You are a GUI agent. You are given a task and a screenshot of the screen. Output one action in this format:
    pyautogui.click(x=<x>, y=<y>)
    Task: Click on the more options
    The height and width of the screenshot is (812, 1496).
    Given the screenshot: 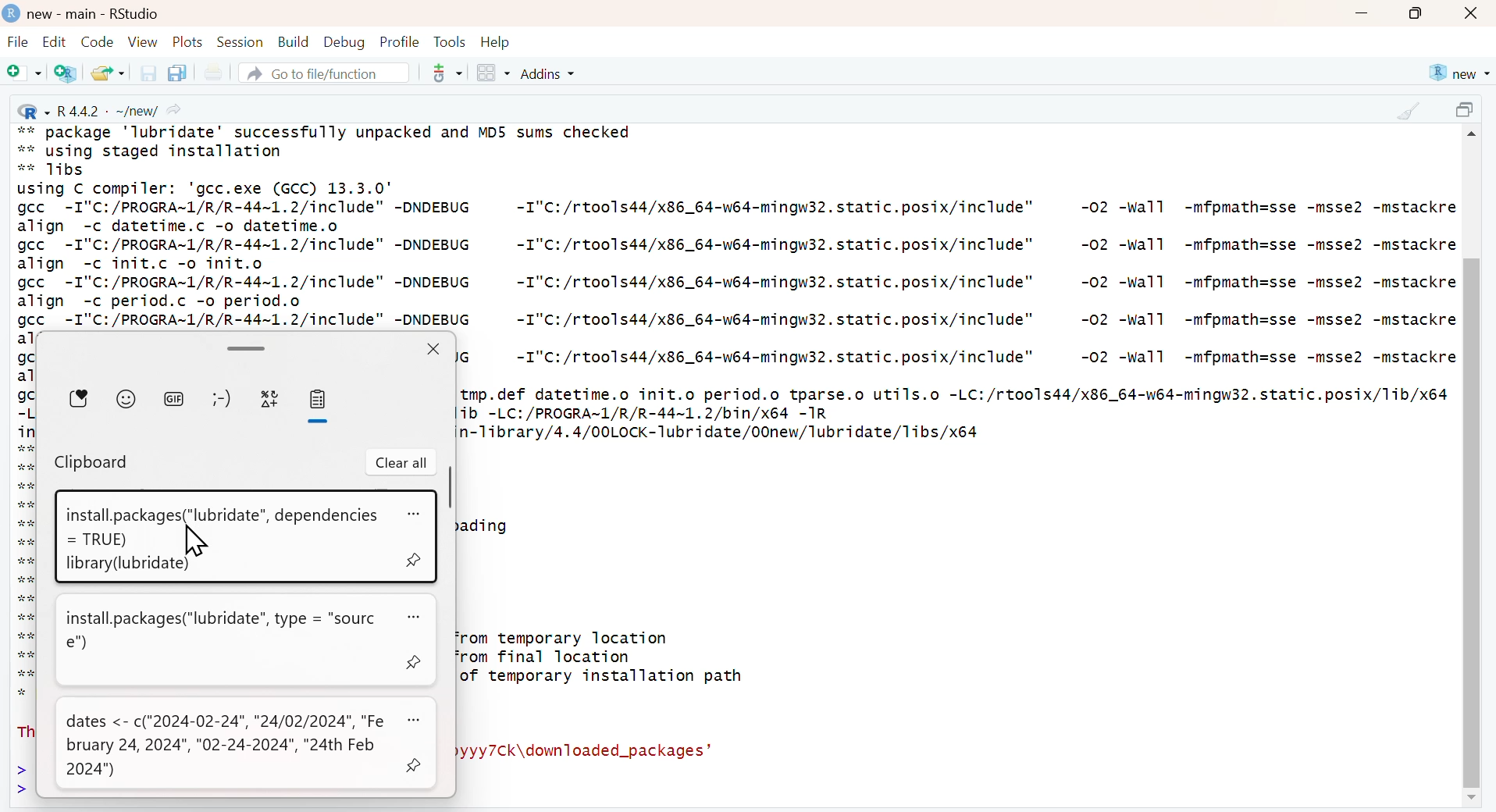 What is the action you would take?
    pyautogui.click(x=442, y=73)
    